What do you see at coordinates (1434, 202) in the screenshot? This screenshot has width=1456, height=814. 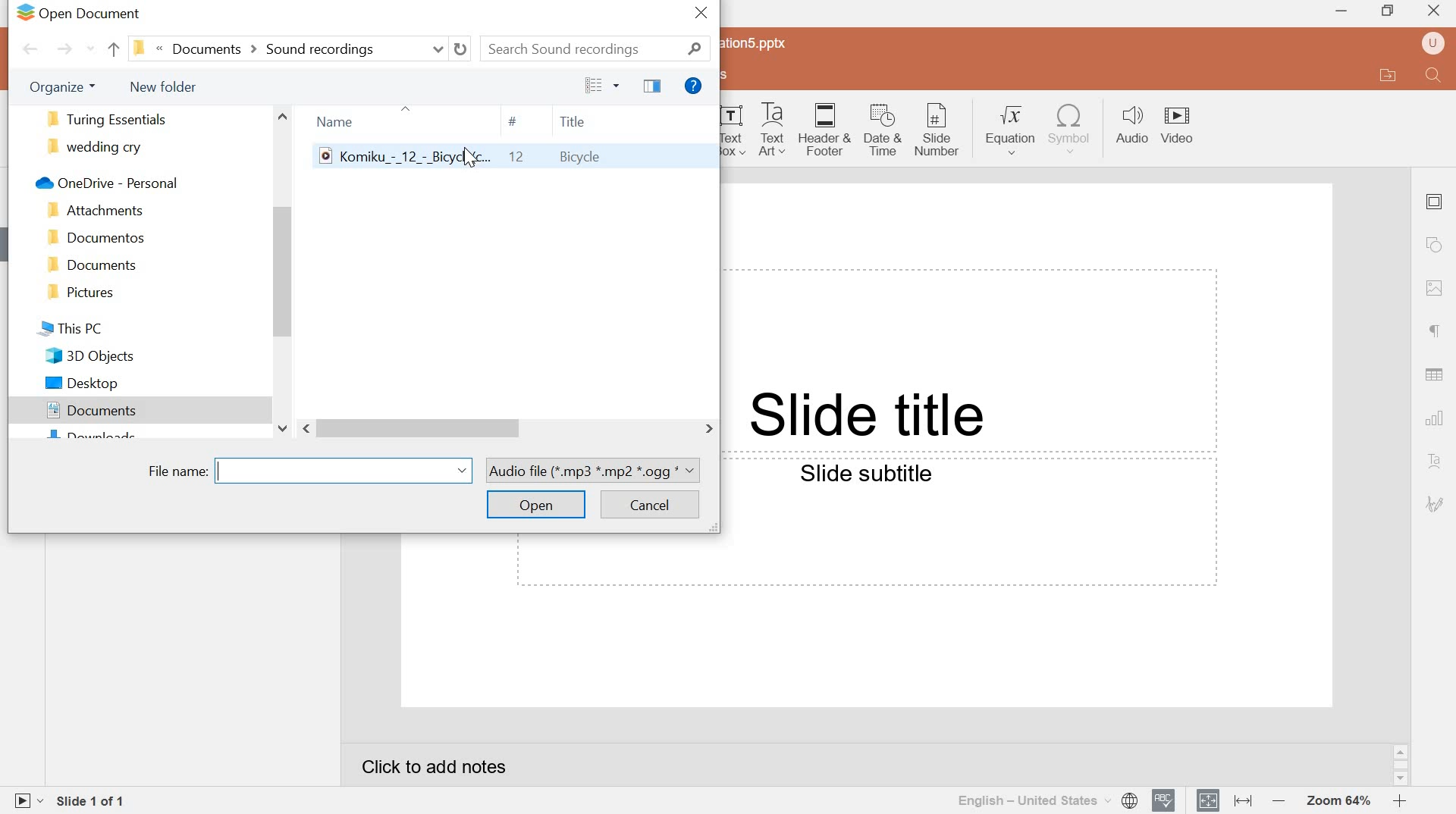 I see `slide settings` at bounding box center [1434, 202].